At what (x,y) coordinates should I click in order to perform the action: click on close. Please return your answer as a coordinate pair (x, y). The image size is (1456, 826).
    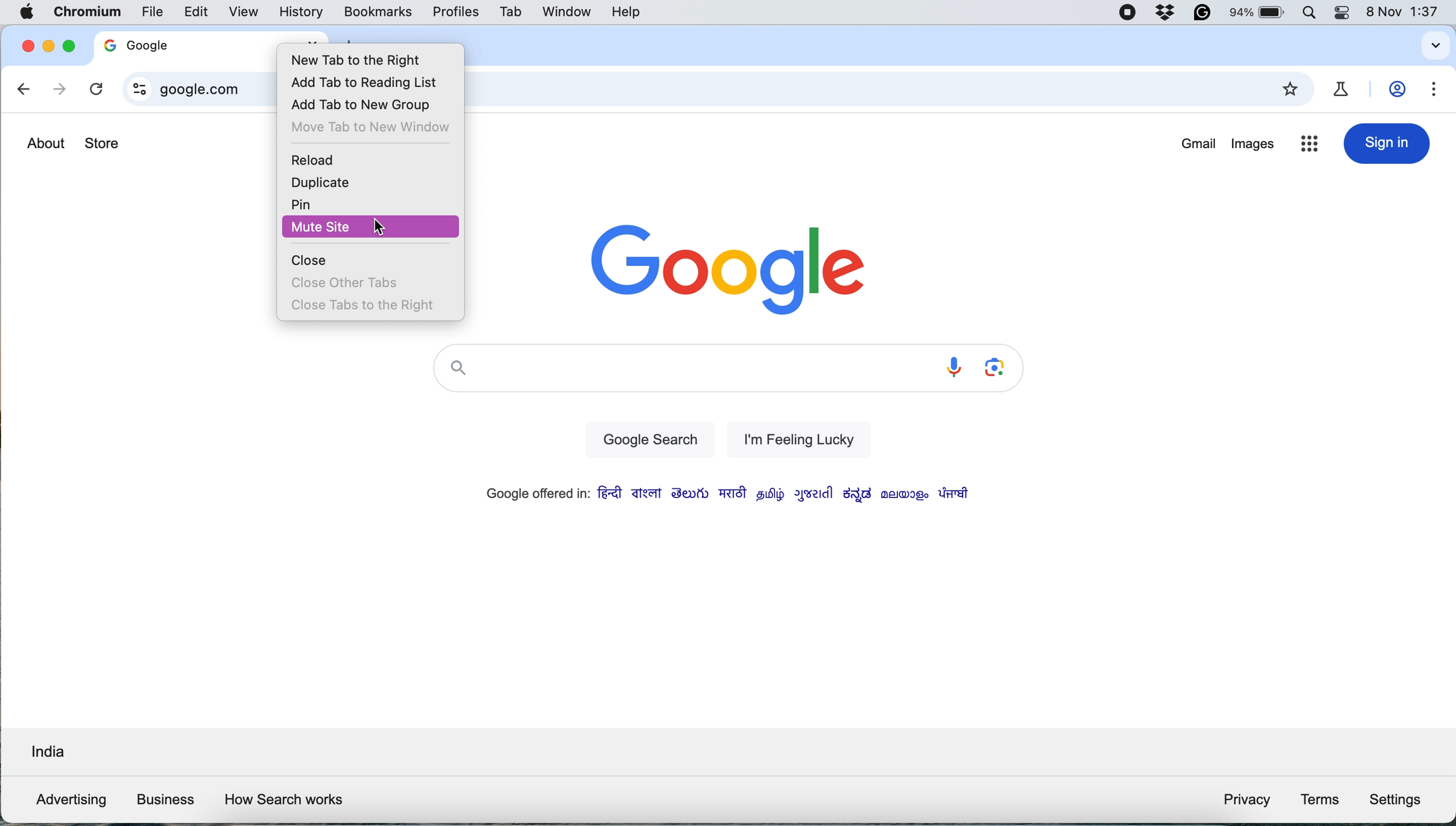
    Looking at the image, I should click on (24, 47).